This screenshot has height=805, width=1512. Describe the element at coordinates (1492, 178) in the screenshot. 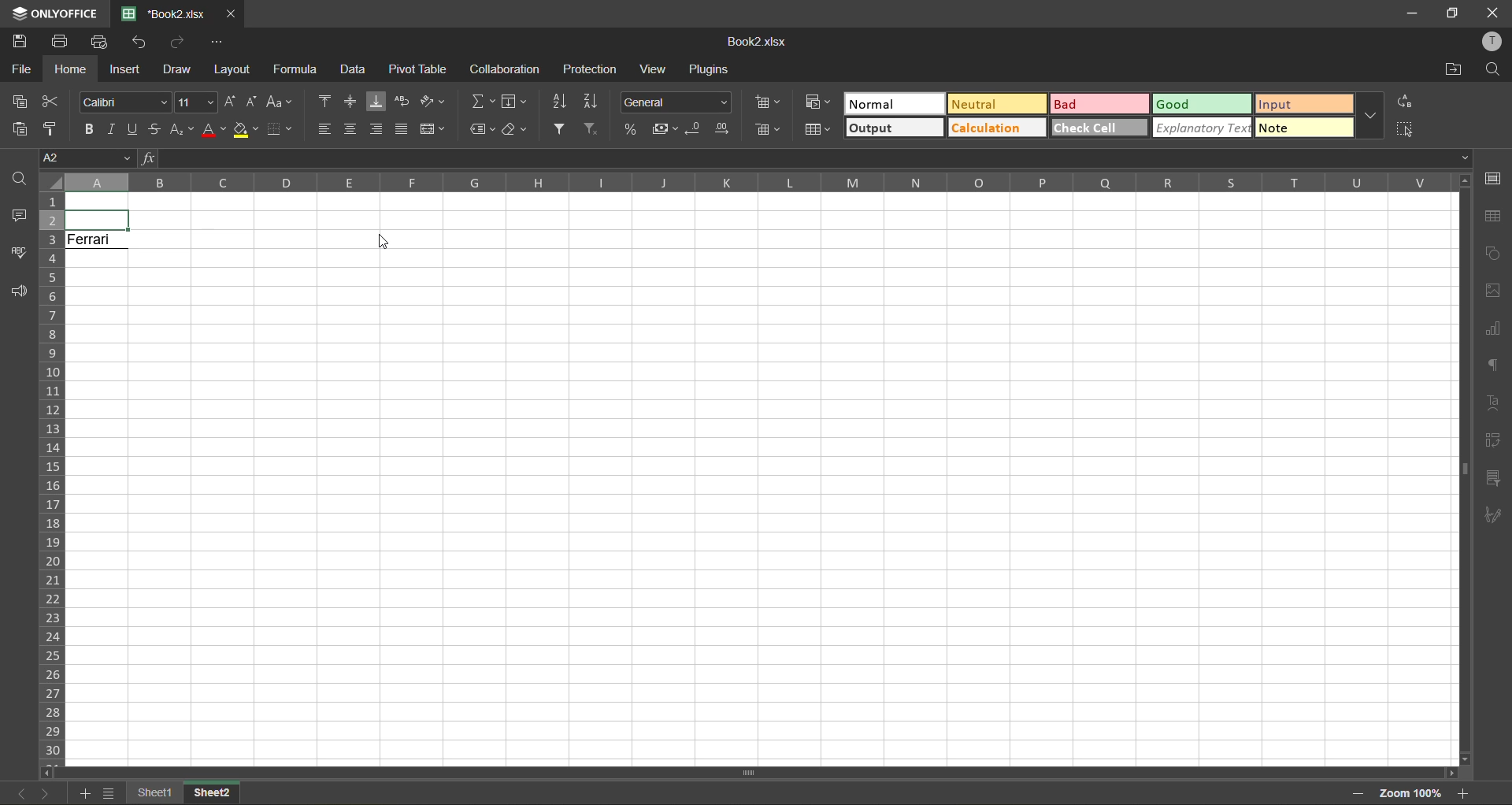

I see `cell settings` at that location.